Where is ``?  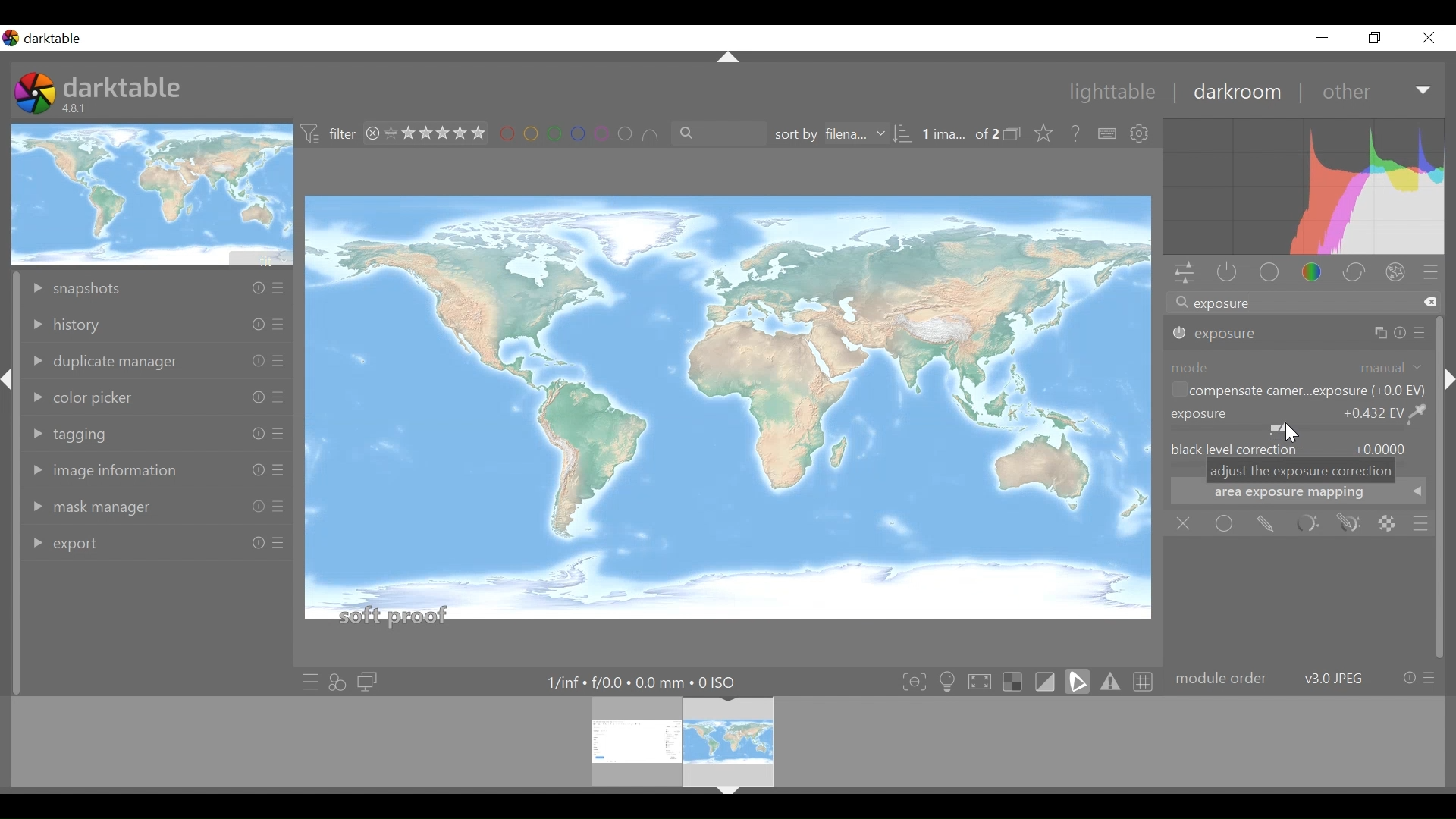  is located at coordinates (278, 435).